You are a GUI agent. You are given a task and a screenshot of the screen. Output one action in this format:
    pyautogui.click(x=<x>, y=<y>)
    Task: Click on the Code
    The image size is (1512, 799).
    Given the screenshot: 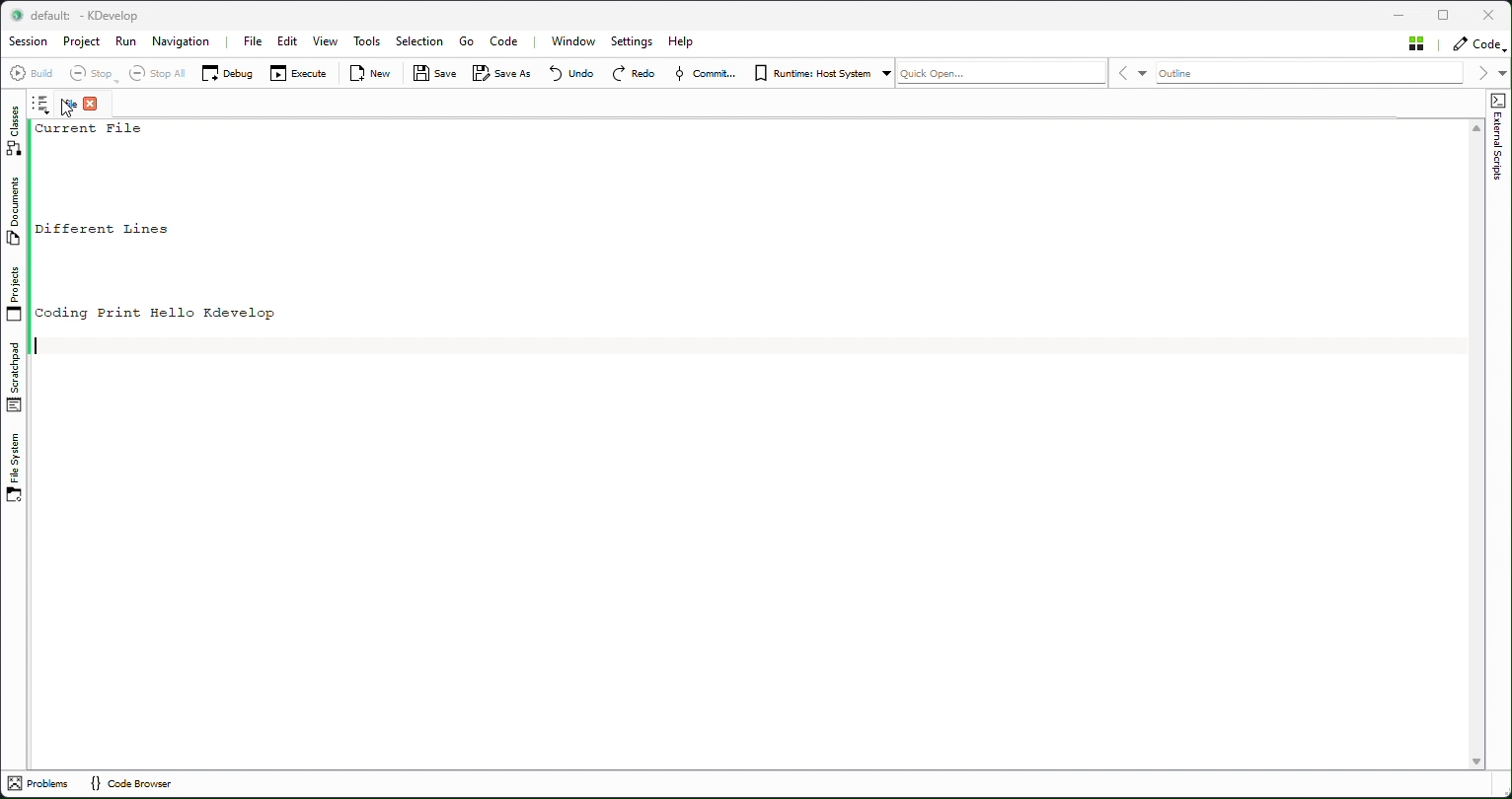 What is the action you would take?
    pyautogui.click(x=505, y=41)
    